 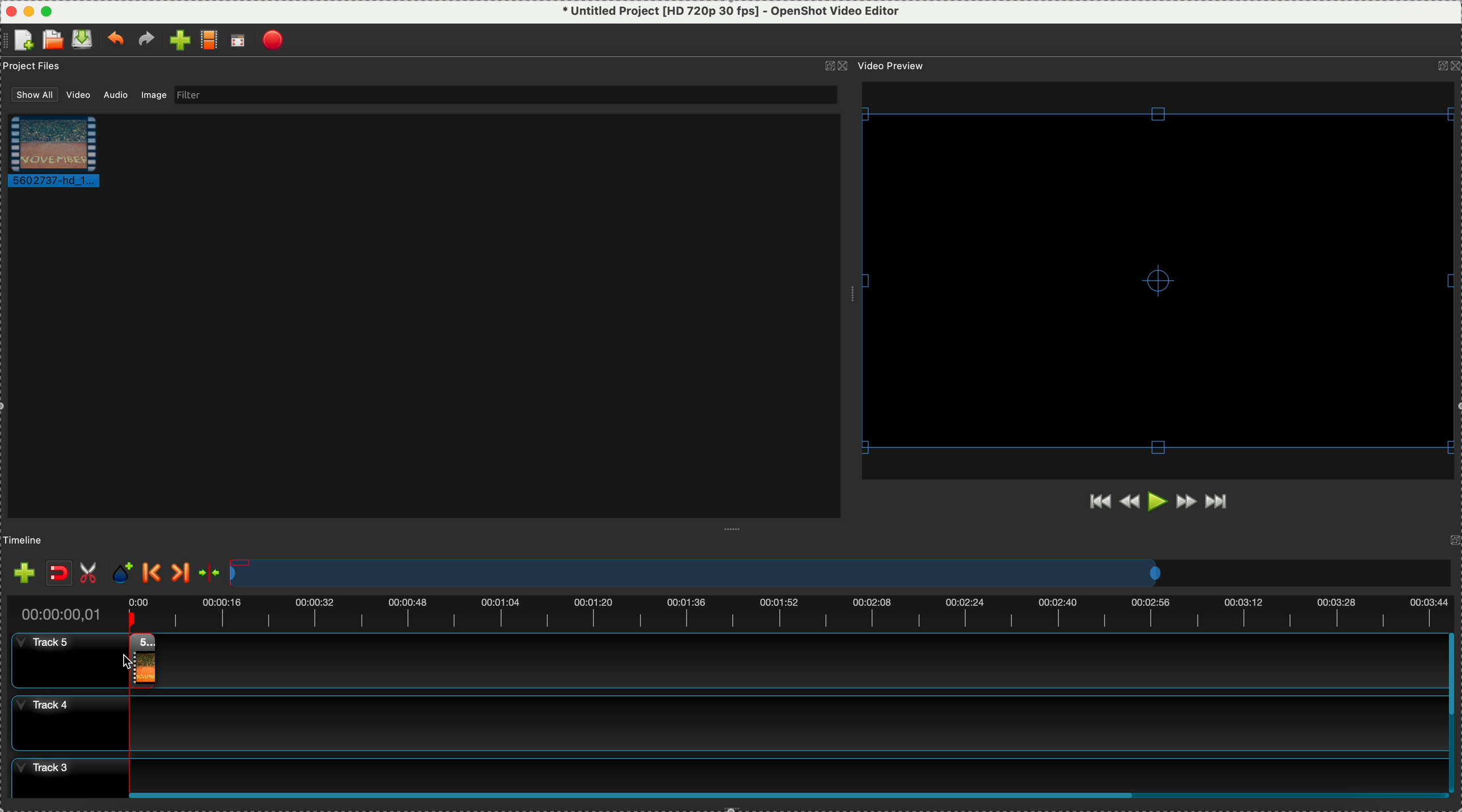 I want to click on Cursor, so click(x=129, y=662).